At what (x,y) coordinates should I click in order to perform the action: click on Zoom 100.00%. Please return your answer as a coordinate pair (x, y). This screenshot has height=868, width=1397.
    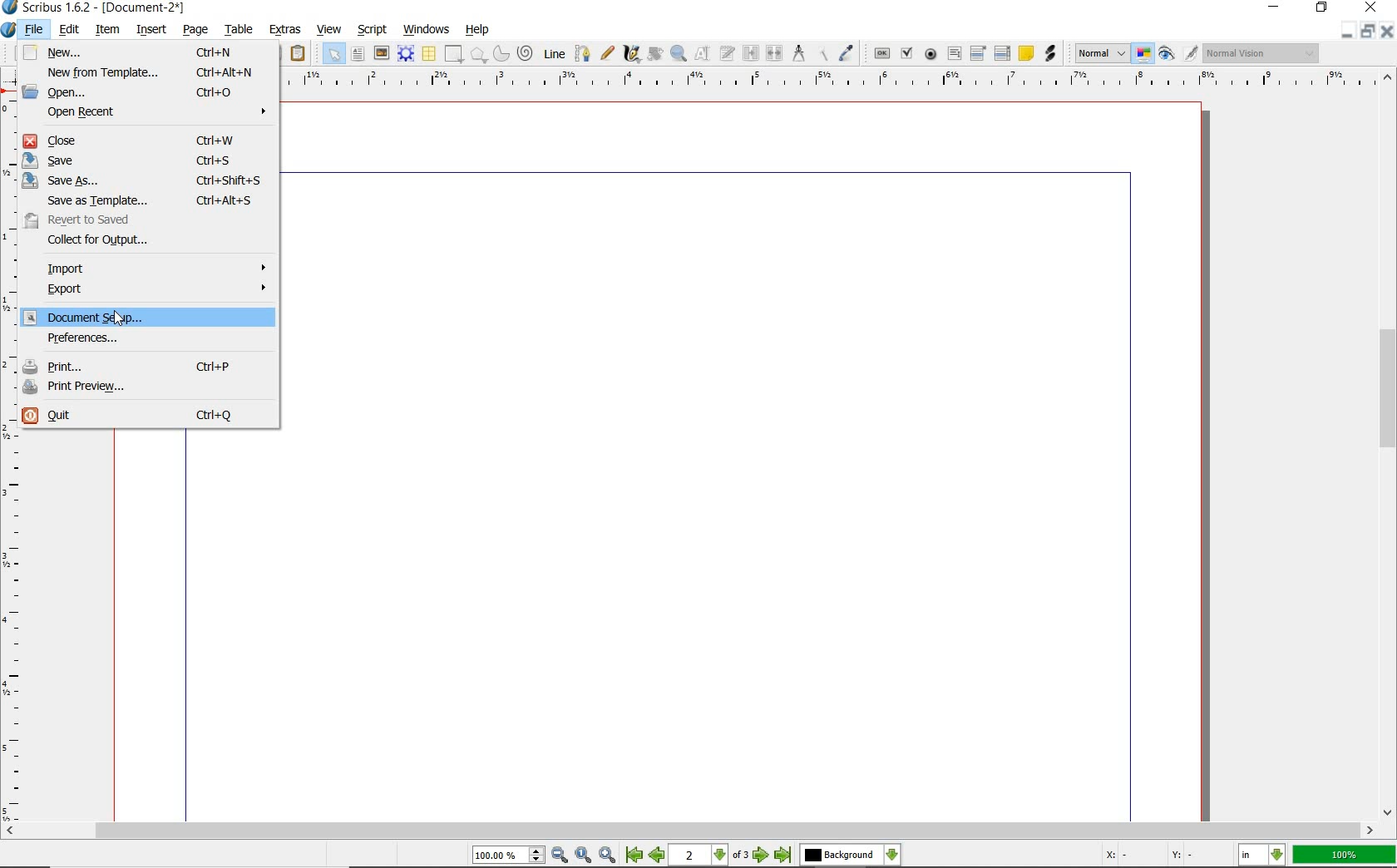
    Looking at the image, I should click on (506, 857).